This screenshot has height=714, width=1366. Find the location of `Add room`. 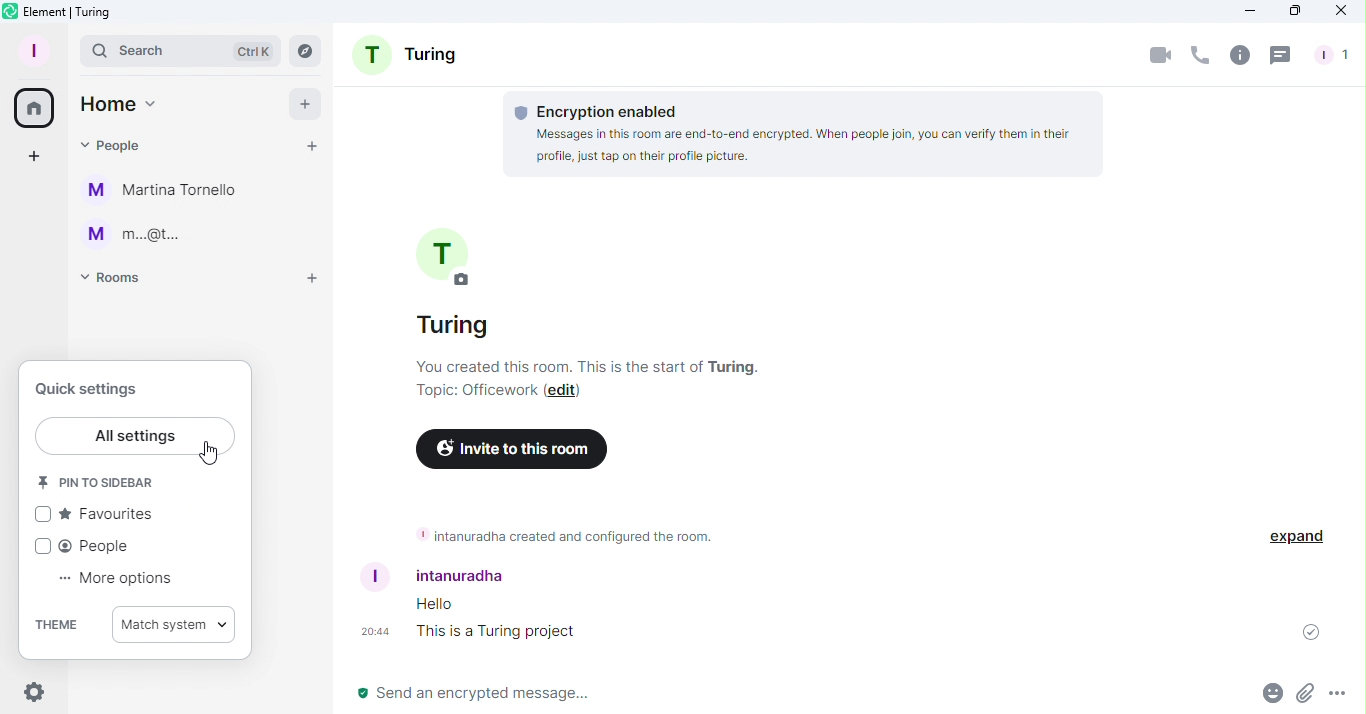

Add room is located at coordinates (314, 279).